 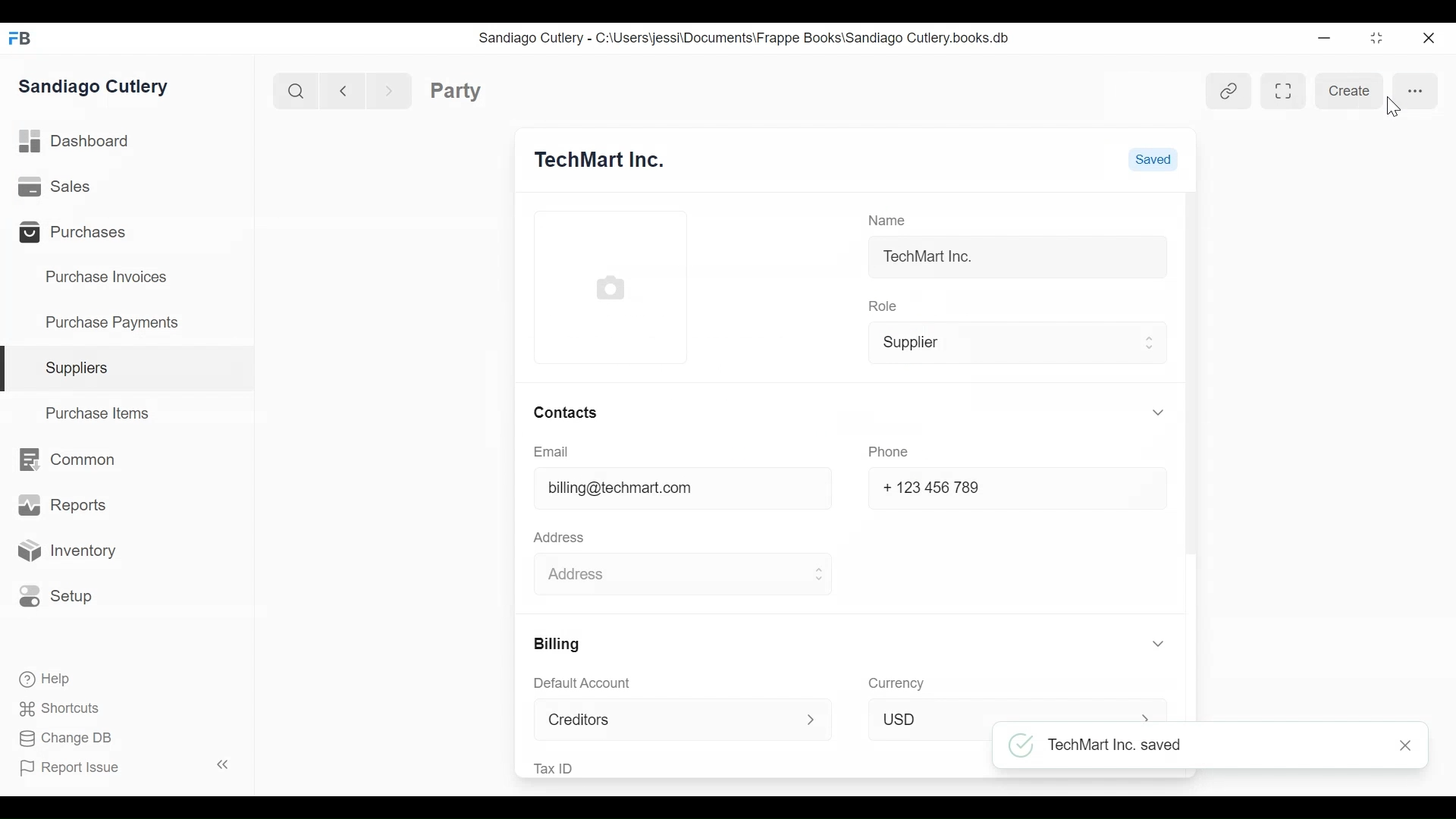 I want to click on +123 456 789, so click(x=934, y=487).